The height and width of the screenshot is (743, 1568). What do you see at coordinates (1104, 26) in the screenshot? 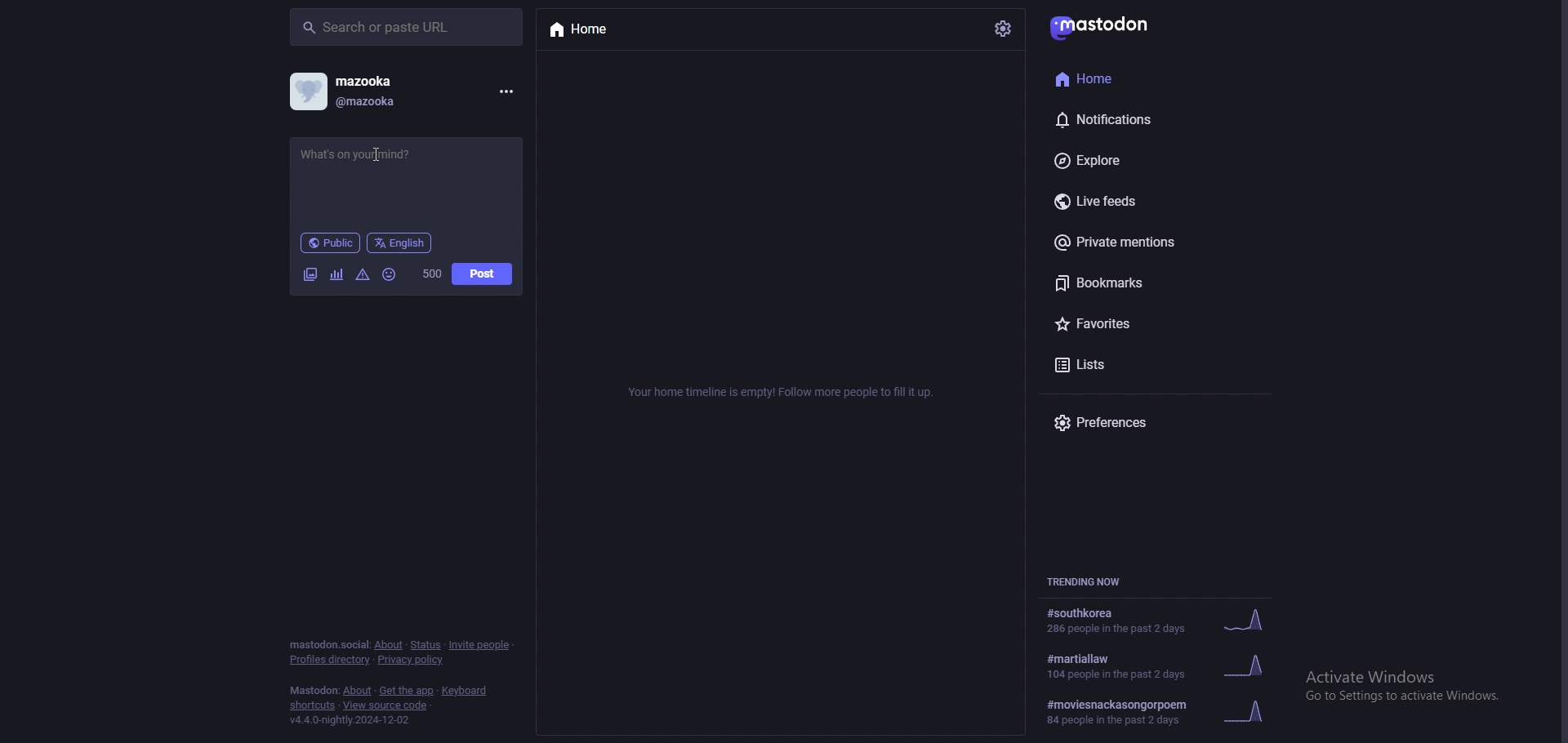
I see `mastodon` at bounding box center [1104, 26].